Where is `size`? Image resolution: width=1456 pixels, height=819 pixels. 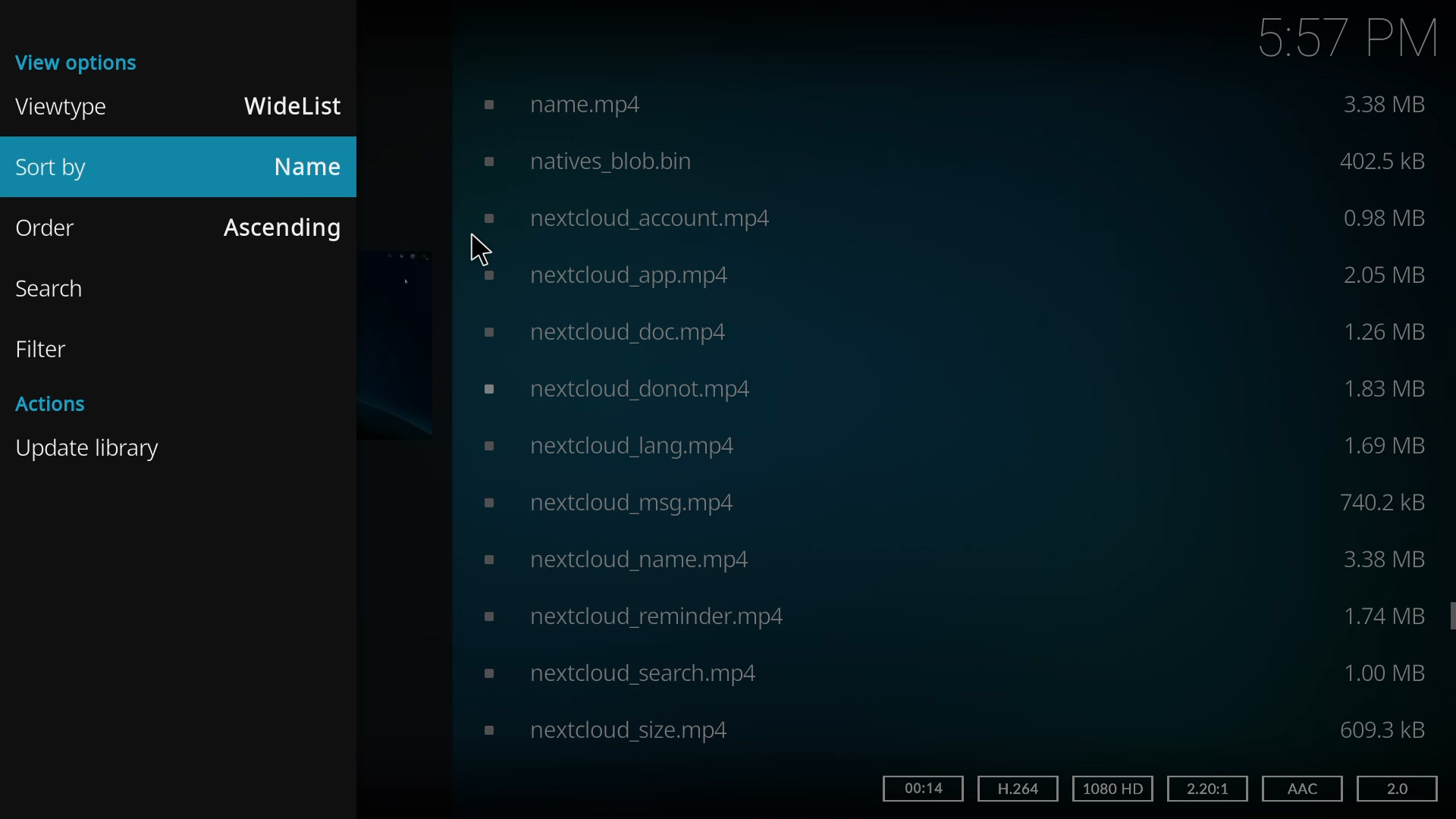
size is located at coordinates (1389, 388).